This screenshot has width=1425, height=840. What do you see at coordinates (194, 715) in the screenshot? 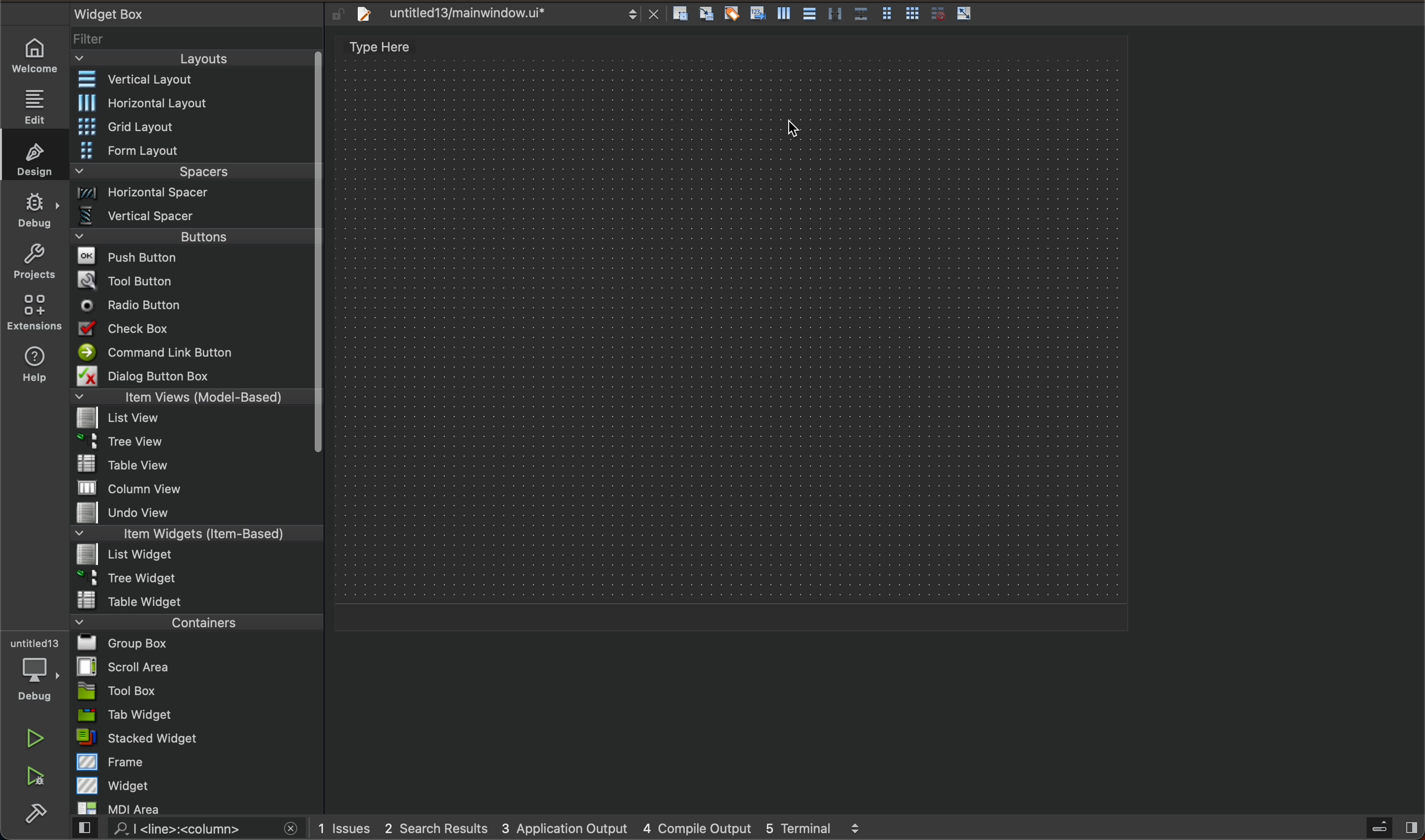
I see `tab widget` at bounding box center [194, 715].